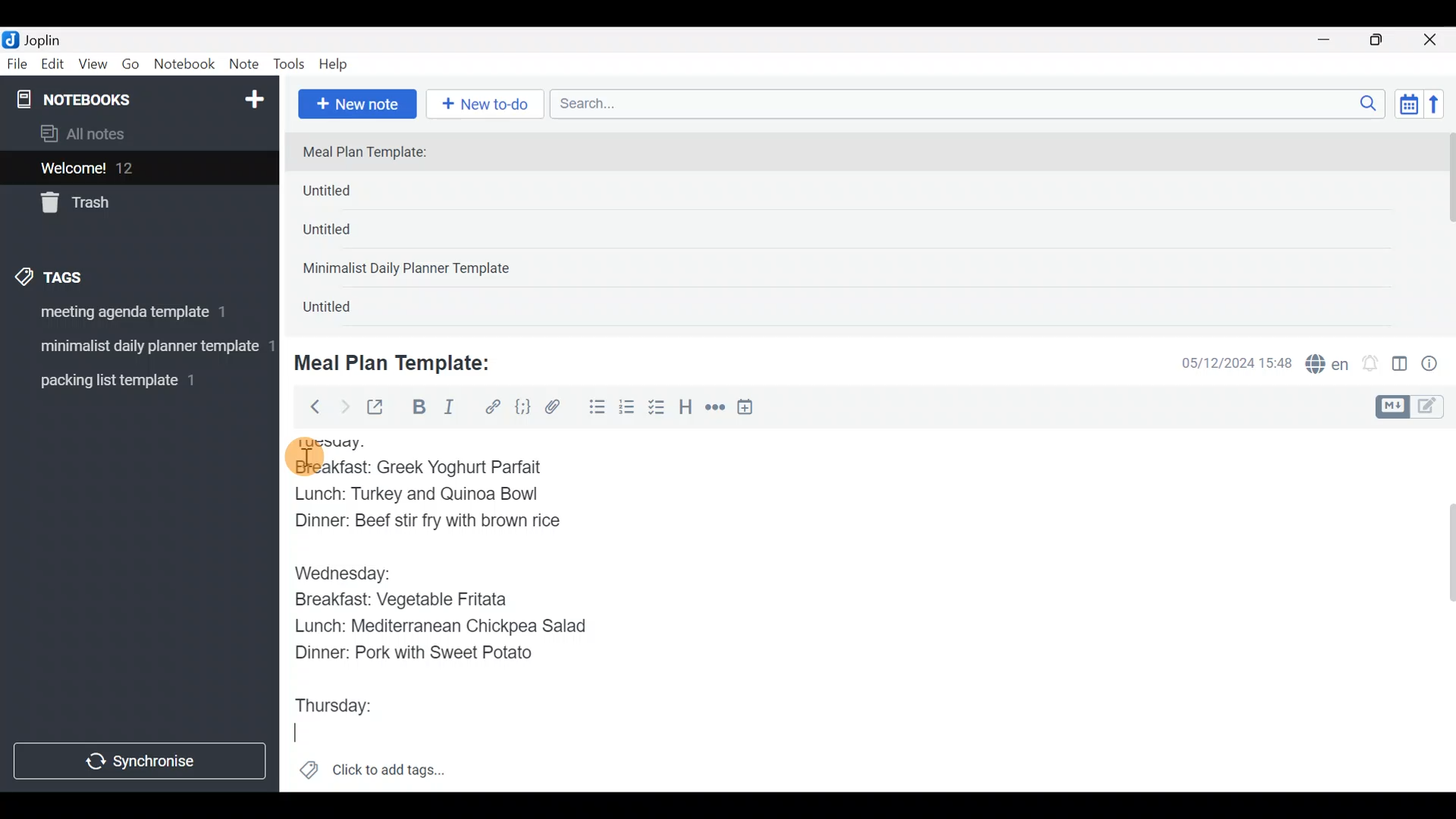 The image size is (1456, 819). What do you see at coordinates (594, 408) in the screenshot?
I see `Bulleted list` at bounding box center [594, 408].